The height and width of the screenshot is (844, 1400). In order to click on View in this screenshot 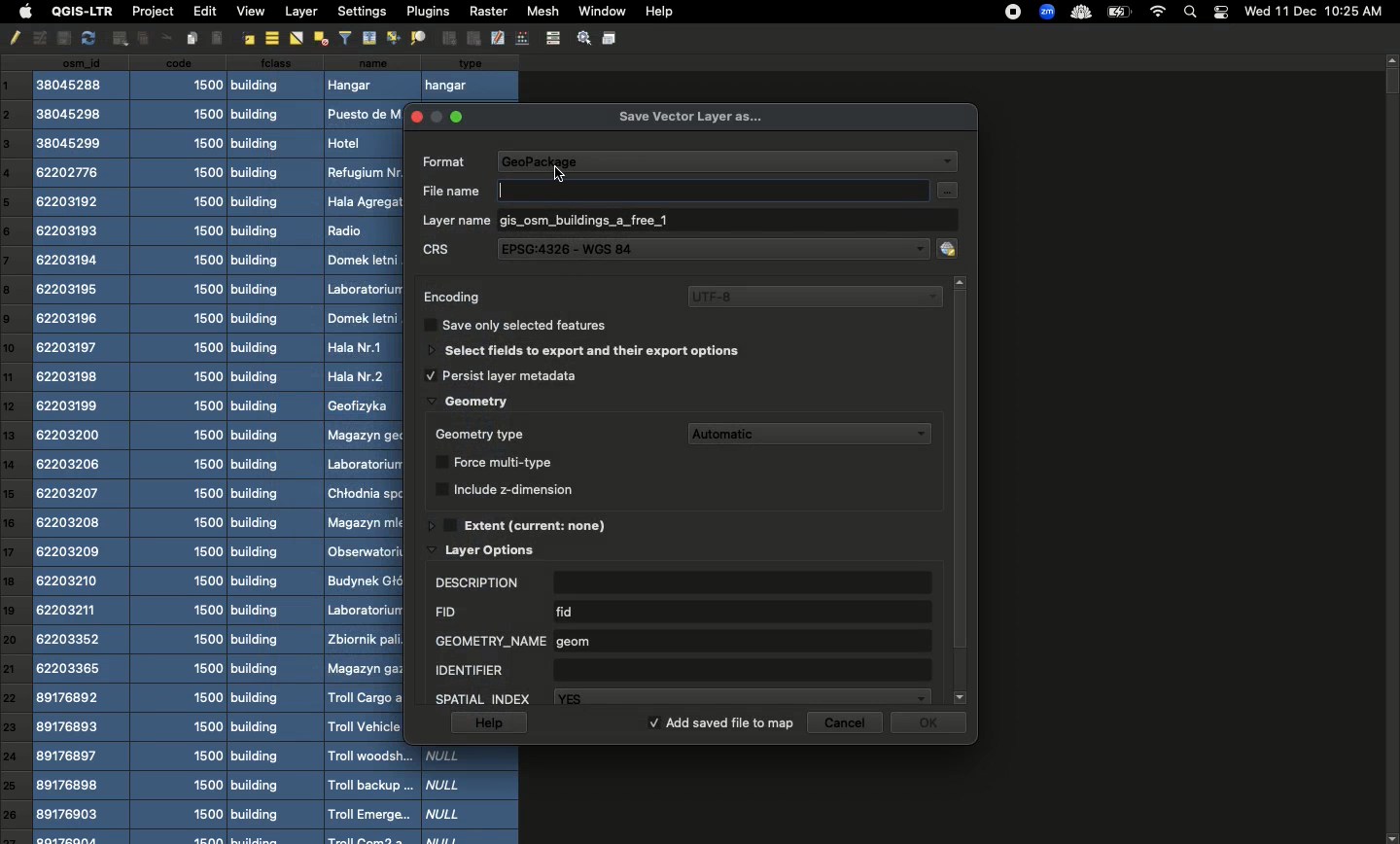, I will do `click(250, 12)`.